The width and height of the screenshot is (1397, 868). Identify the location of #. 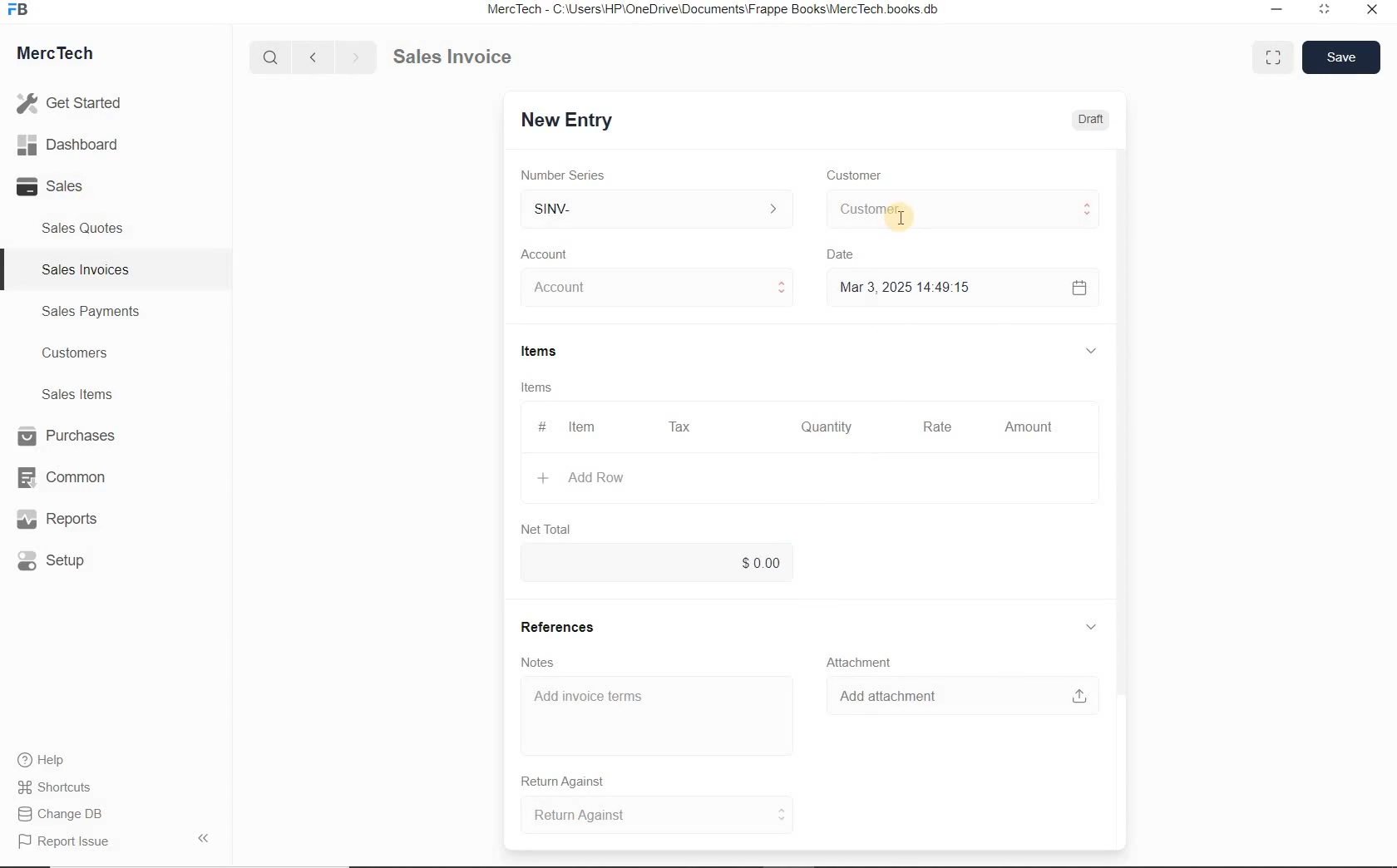
(540, 427).